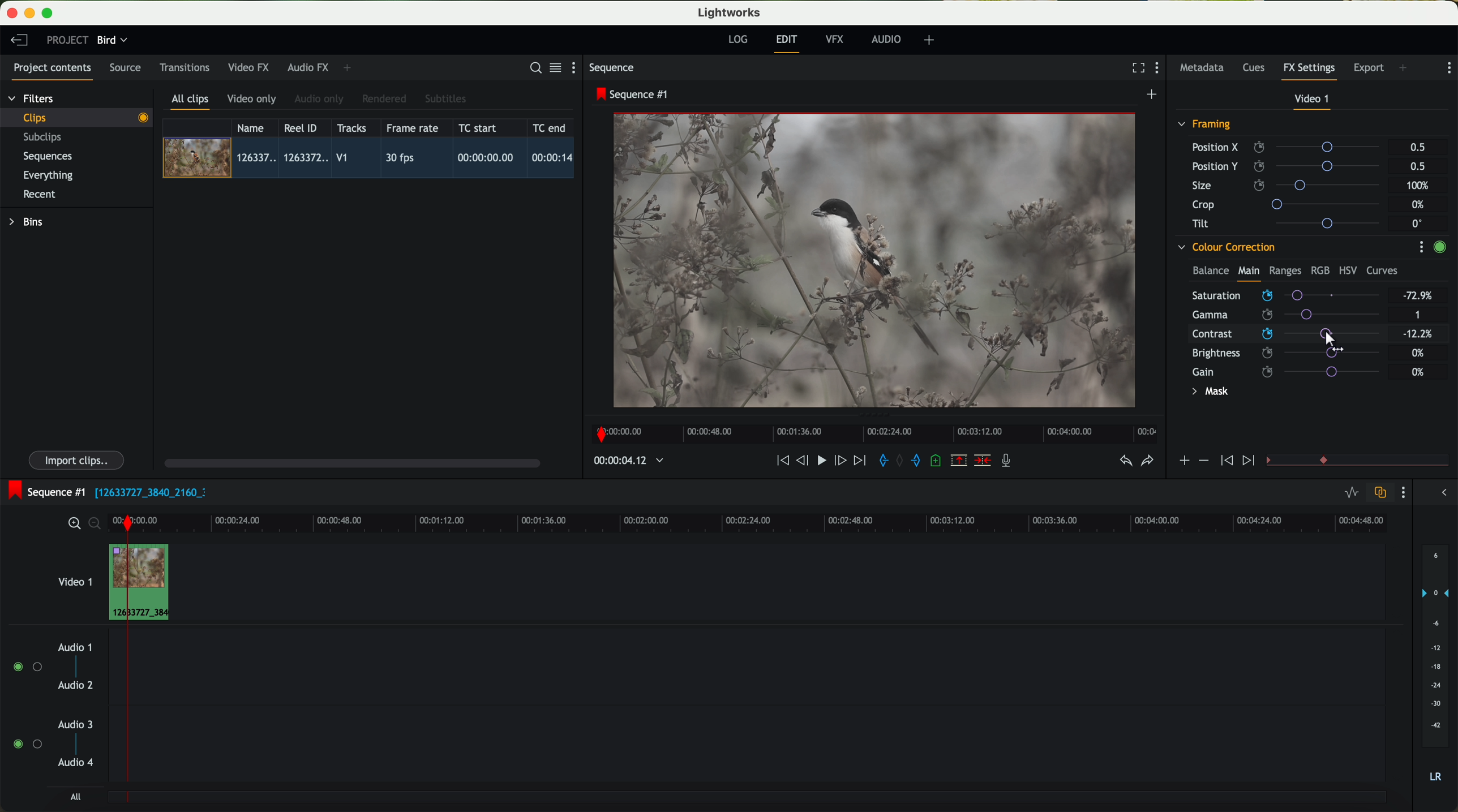 This screenshot has width=1458, height=812. What do you see at coordinates (1286, 335) in the screenshot?
I see `click on contrast` at bounding box center [1286, 335].